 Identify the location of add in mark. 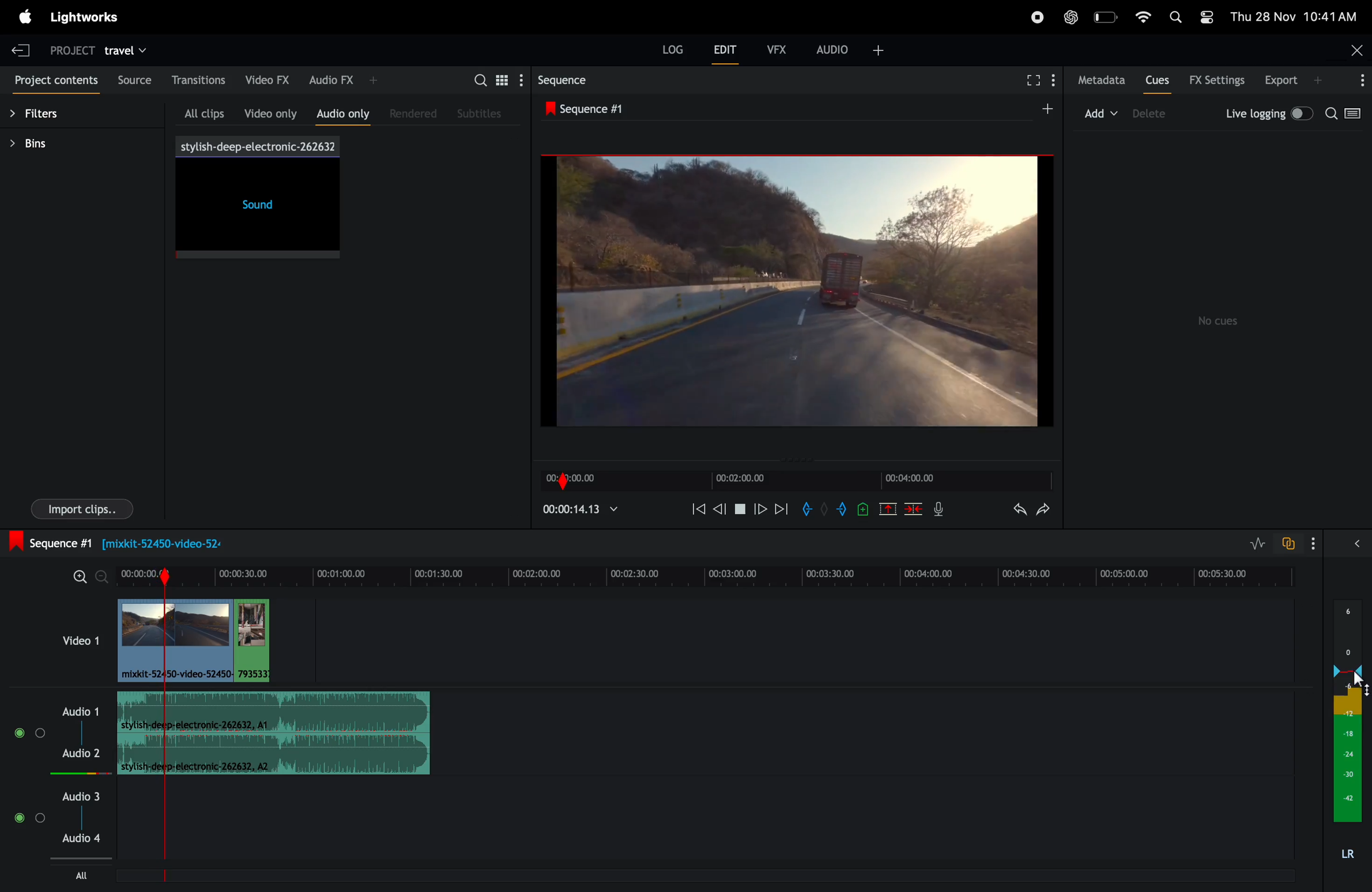
(808, 509).